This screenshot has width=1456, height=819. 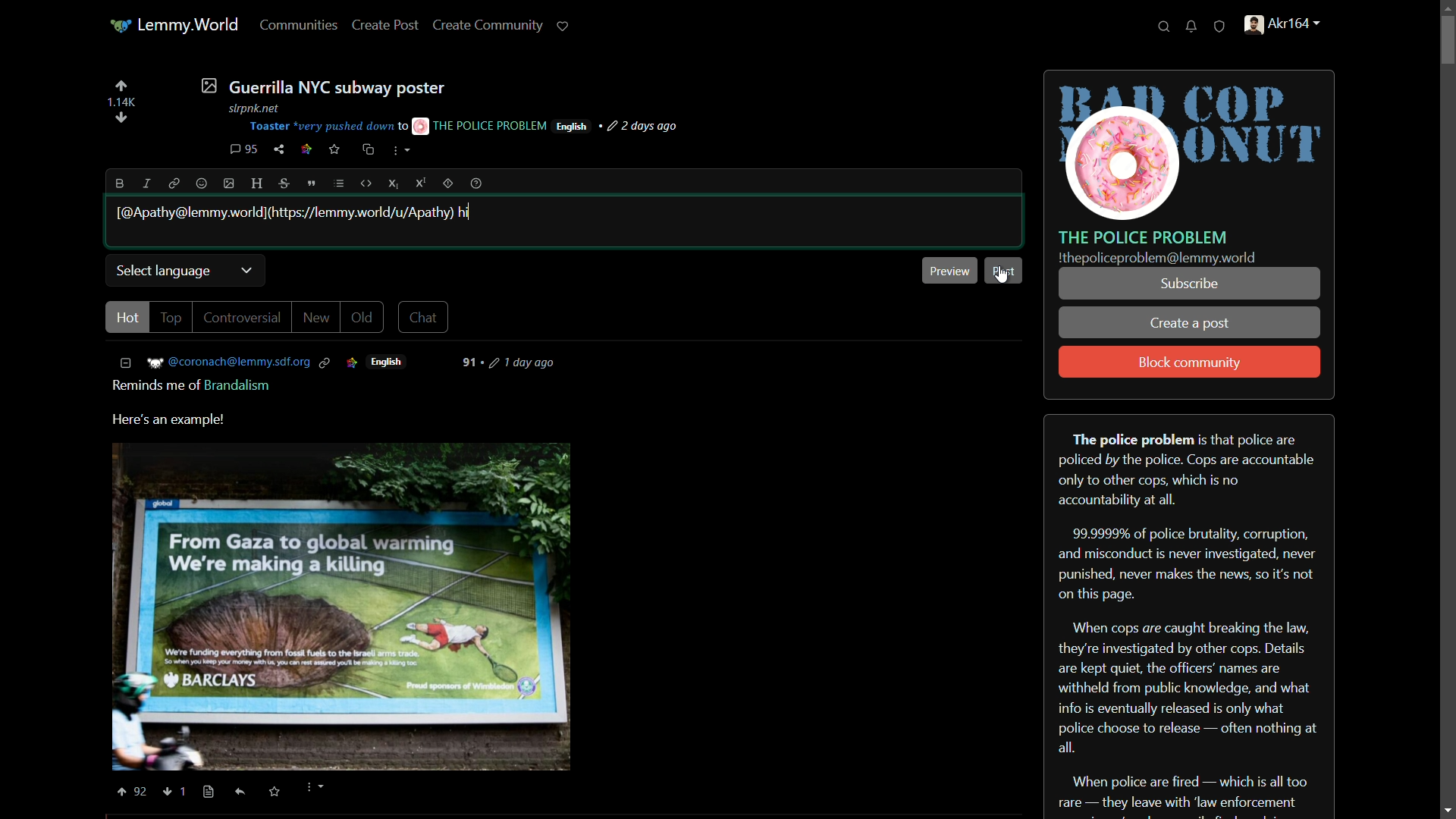 I want to click on post-title, so click(x=322, y=86).